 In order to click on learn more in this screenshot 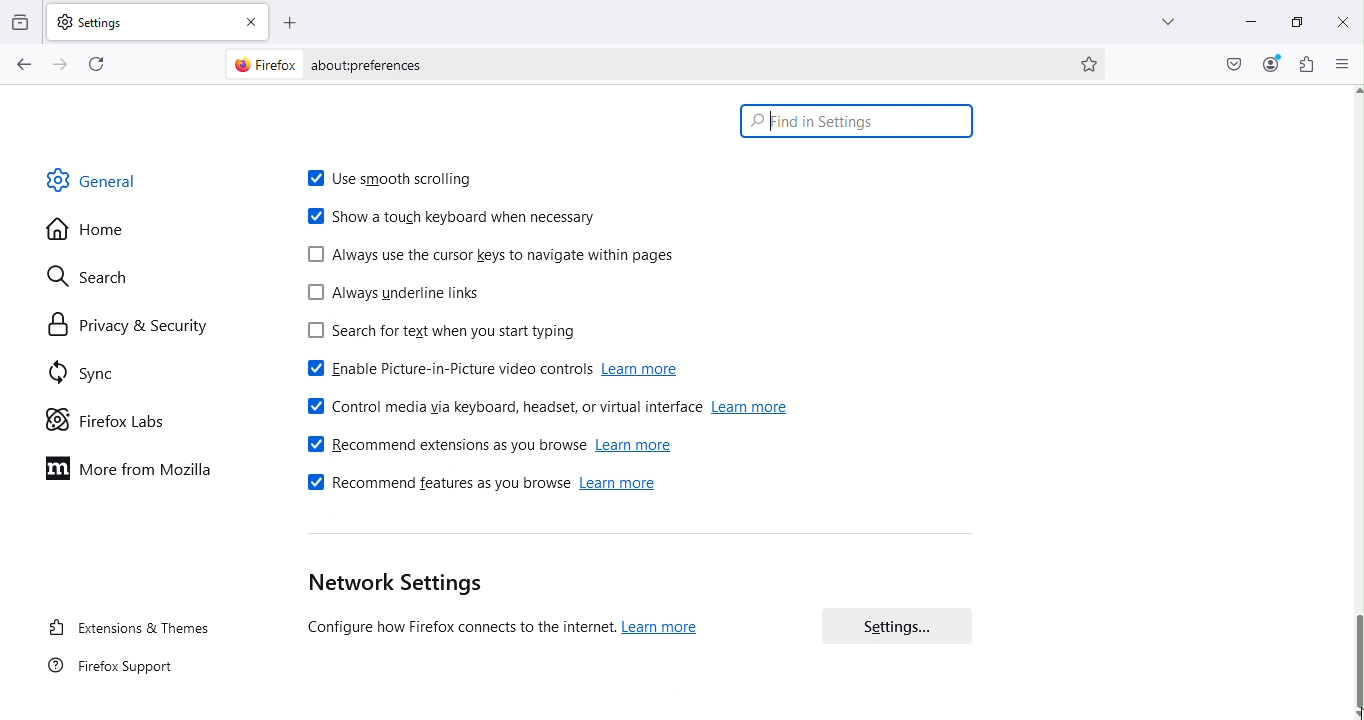, I will do `click(635, 446)`.